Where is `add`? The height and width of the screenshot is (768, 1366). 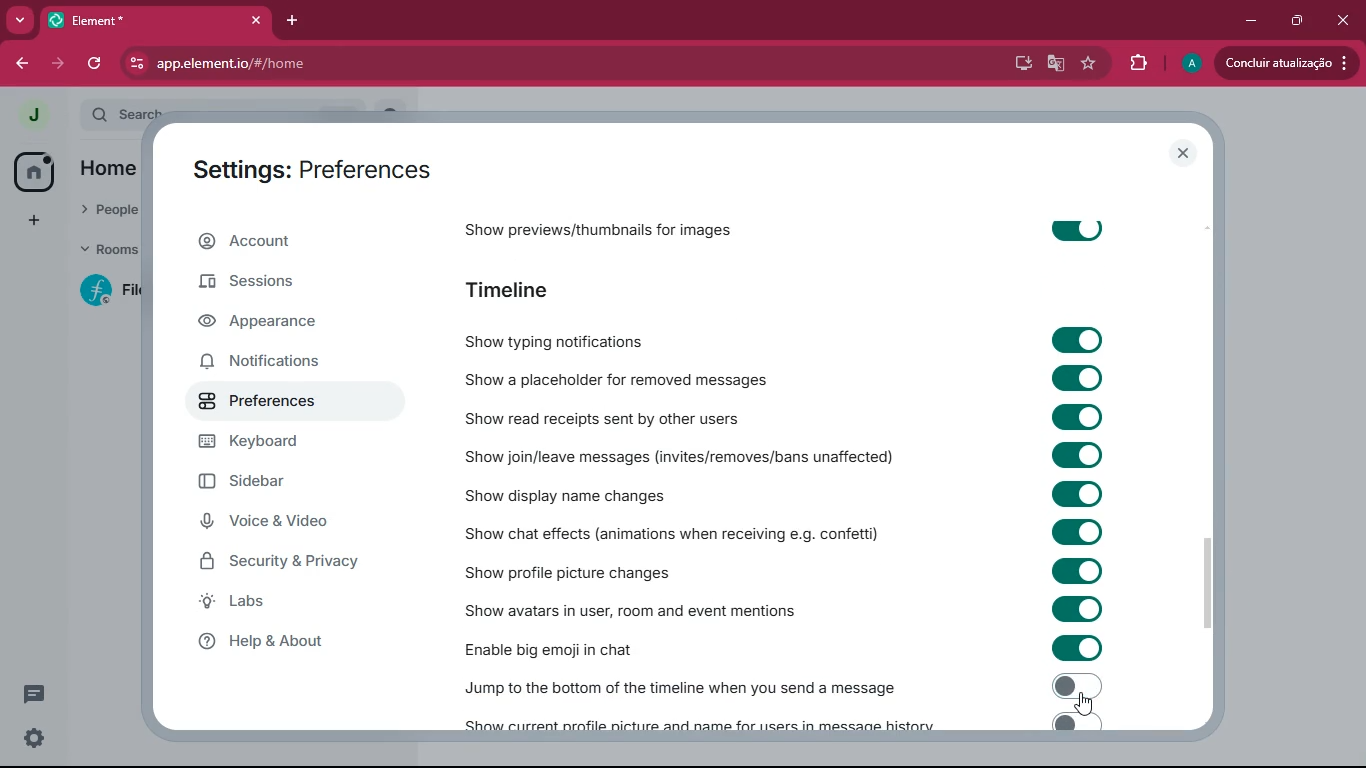
add is located at coordinates (30, 222).